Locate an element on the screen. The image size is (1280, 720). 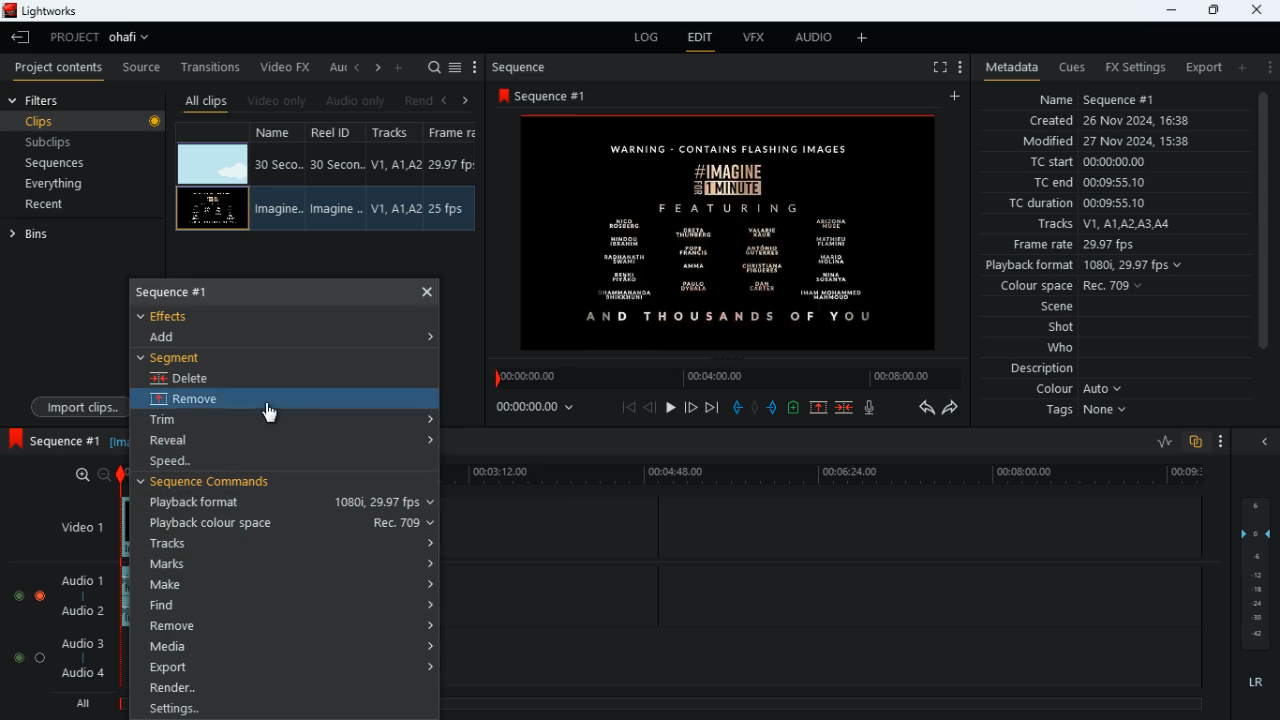
name is located at coordinates (277, 177).